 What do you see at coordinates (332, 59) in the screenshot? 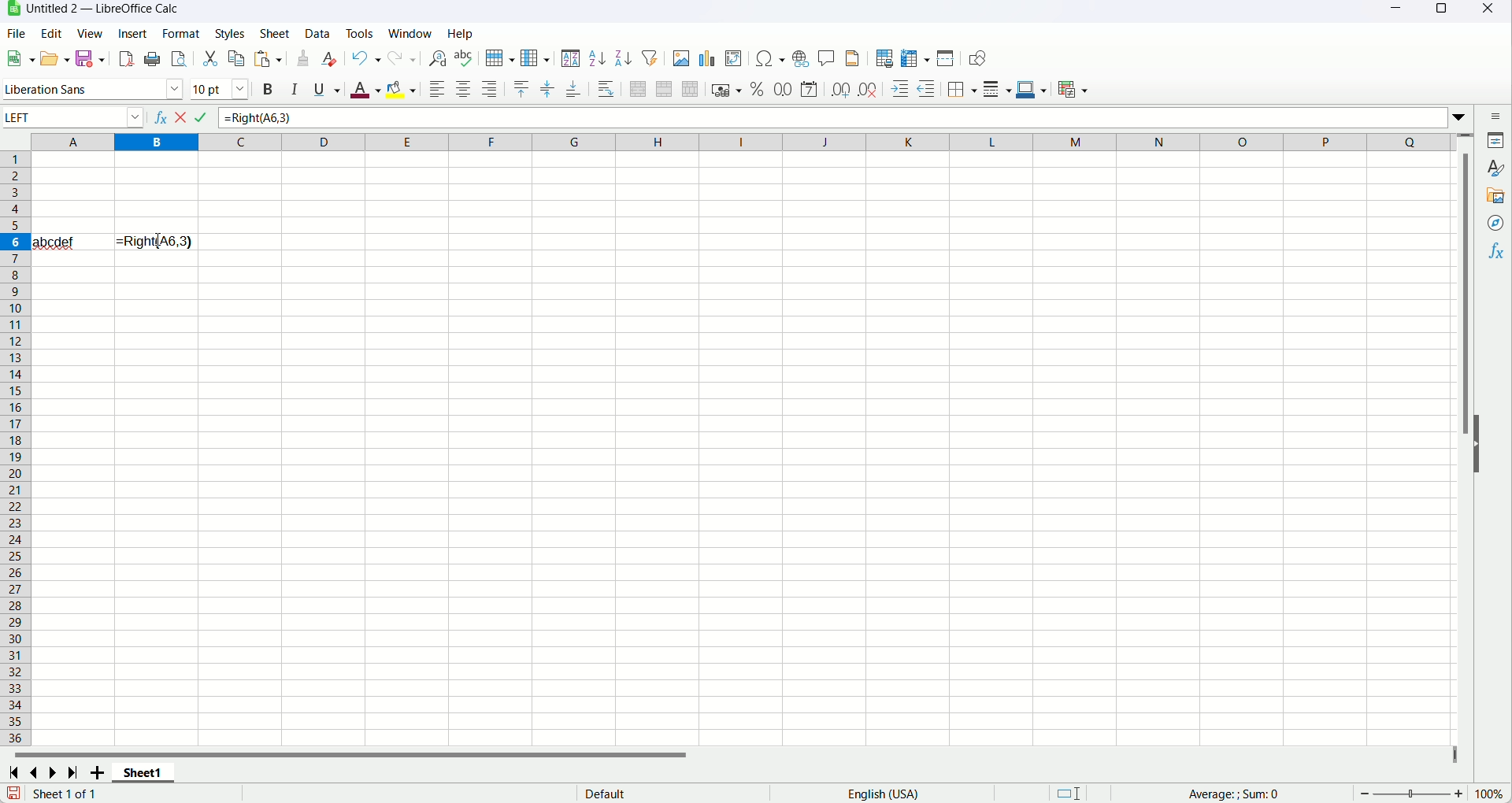
I see `clear formatting` at bounding box center [332, 59].